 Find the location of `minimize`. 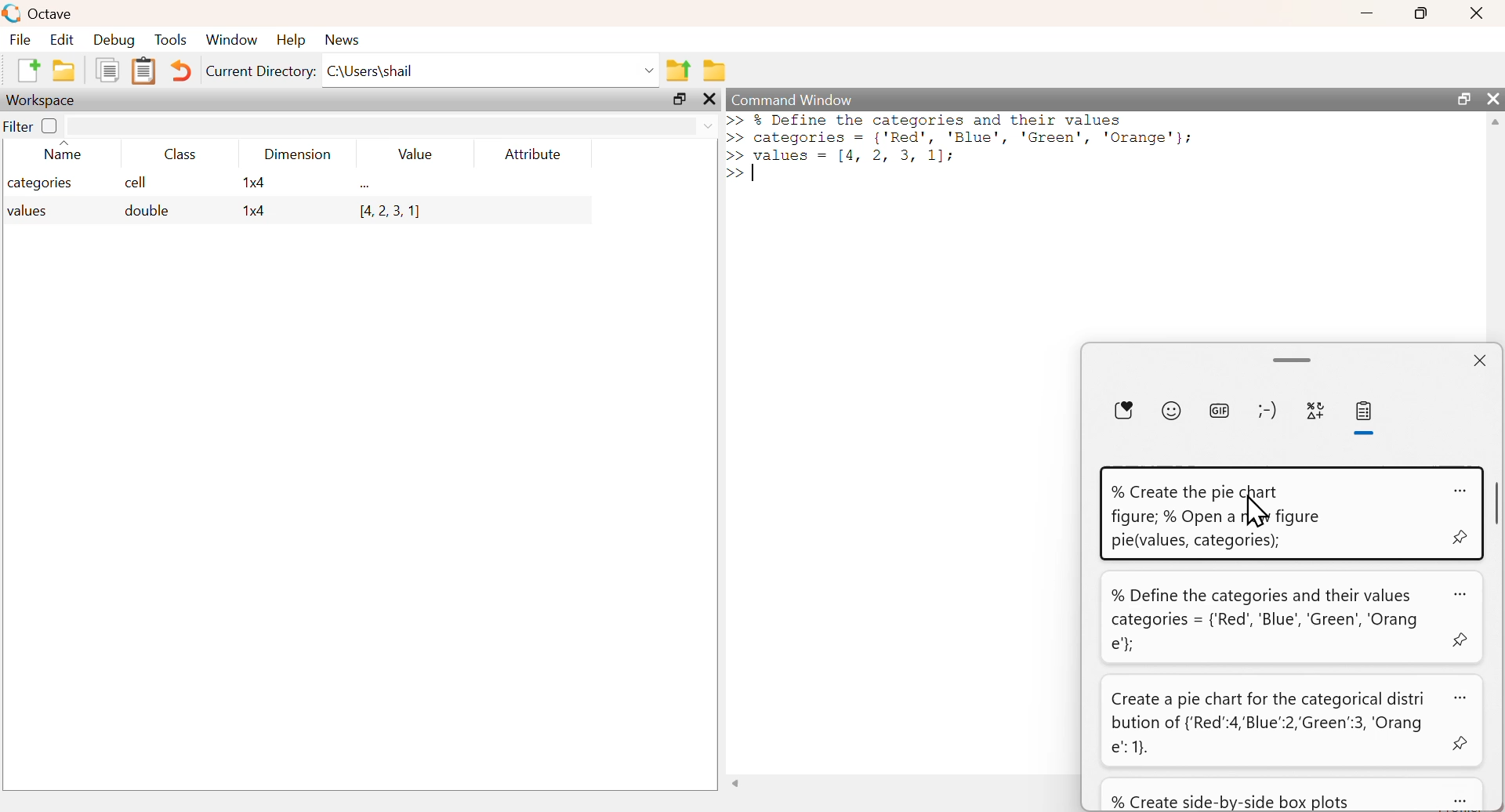

minimize is located at coordinates (1367, 13).